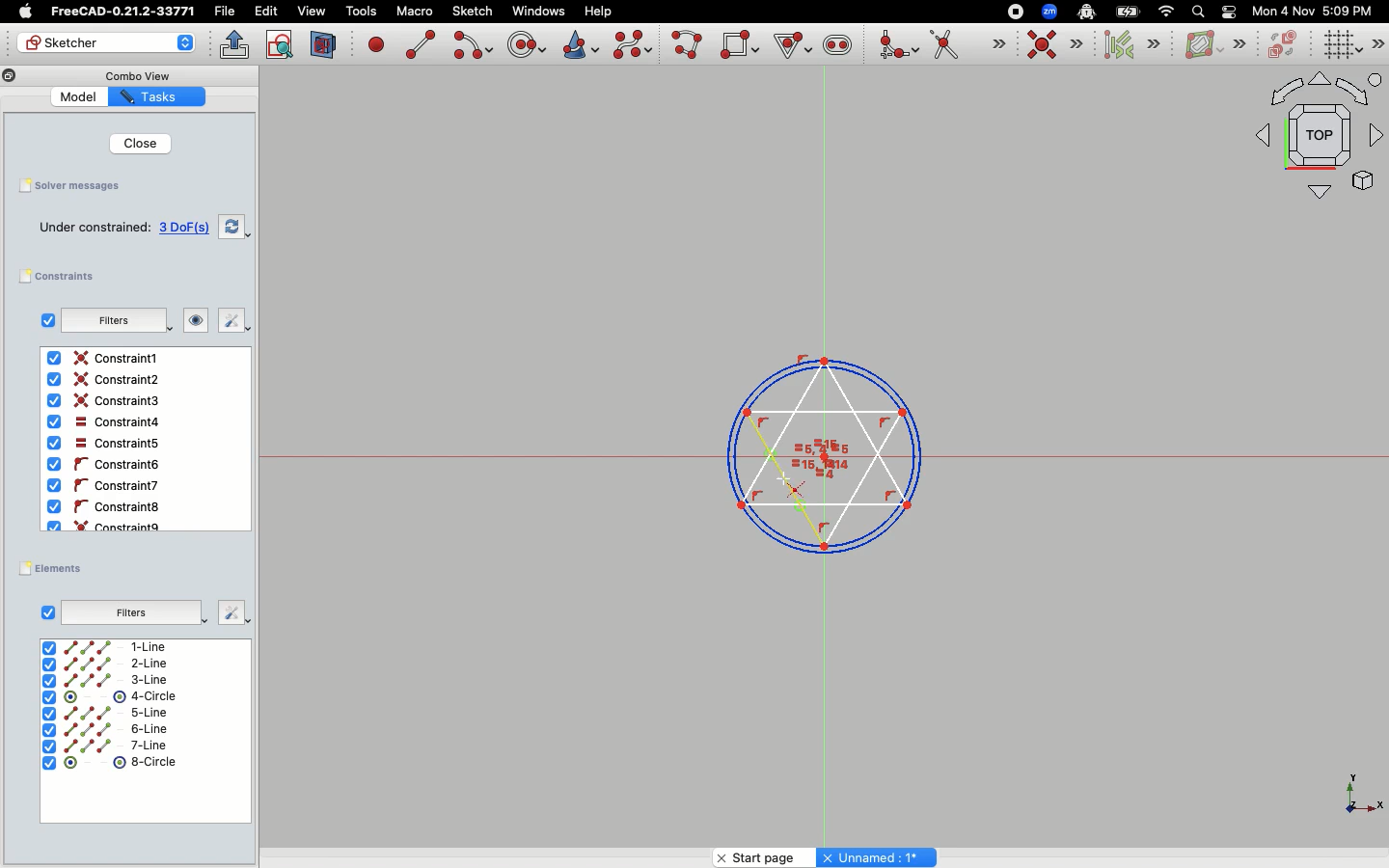 The height and width of the screenshot is (868, 1389). Describe the element at coordinates (791, 46) in the screenshot. I see `Create Regular Polygon` at that location.